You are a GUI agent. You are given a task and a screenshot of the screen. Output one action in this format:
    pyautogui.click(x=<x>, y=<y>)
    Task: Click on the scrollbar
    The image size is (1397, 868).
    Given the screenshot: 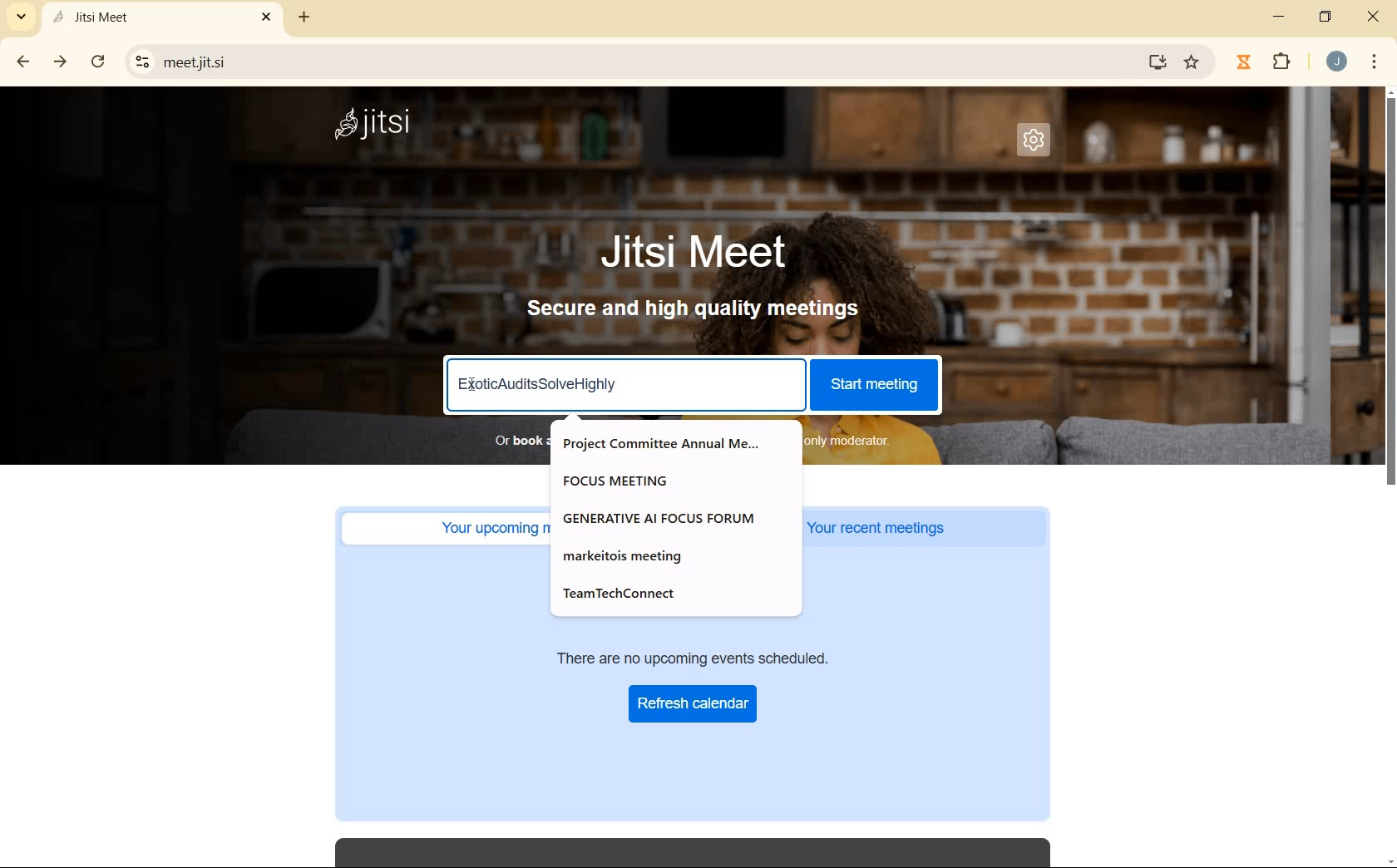 What is the action you would take?
    pyautogui.click(x=1389, y=477)
    